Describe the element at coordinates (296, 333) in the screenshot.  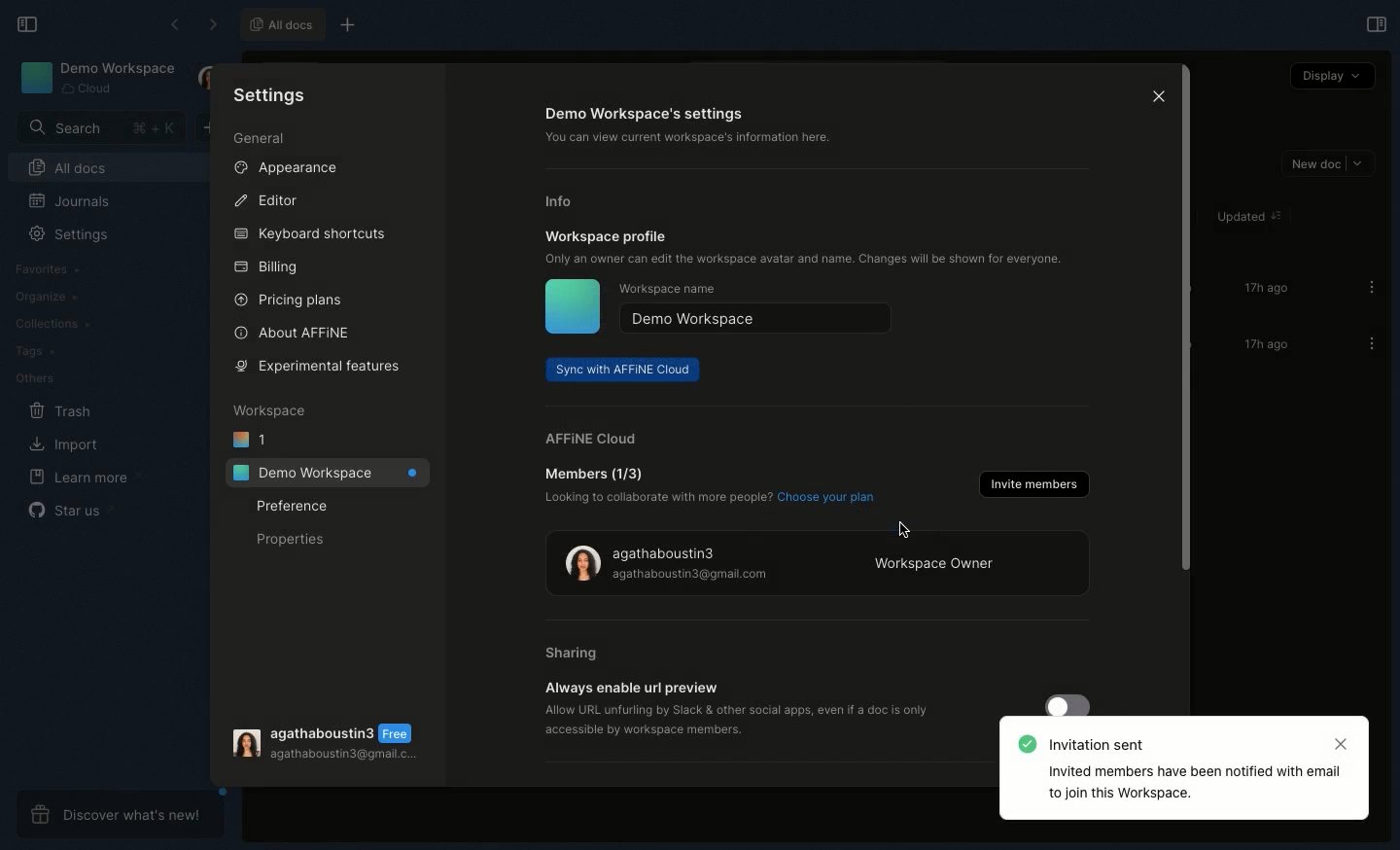
I see `About AFFINE` at that location.